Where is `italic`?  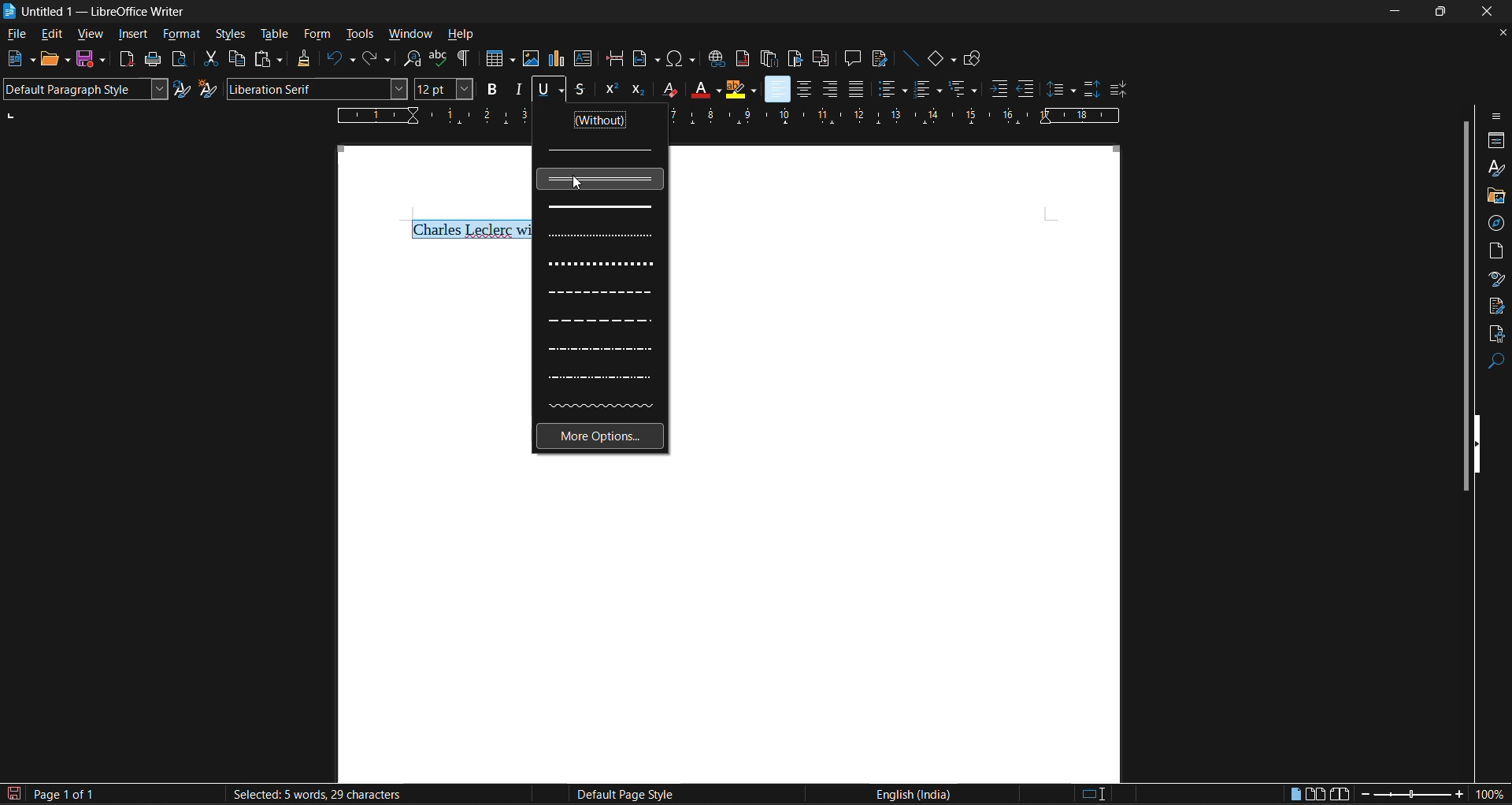
italic is located at coordinates (517, 88).